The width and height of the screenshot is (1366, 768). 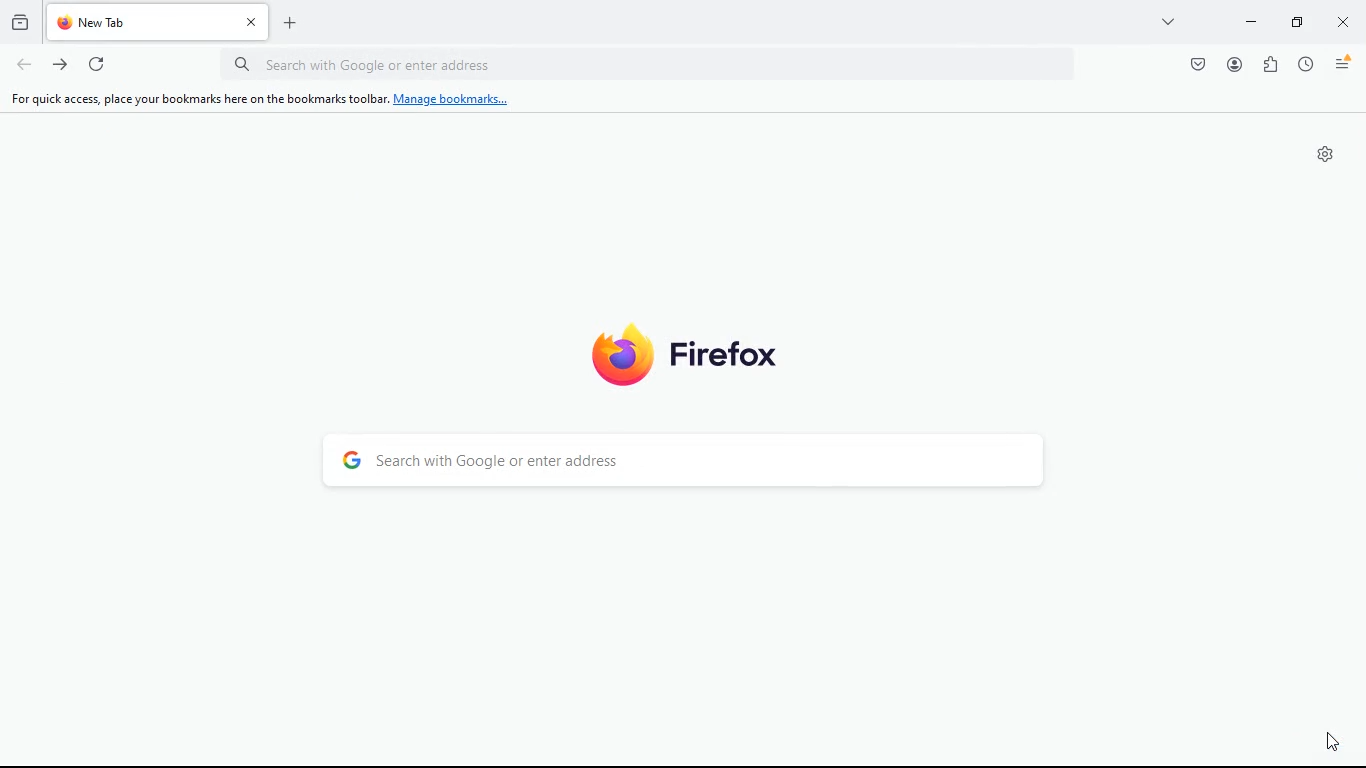 What do you see at coordinates (291, 25) in the screenshot?
I see `add tab` at bounding box center [291, 25].